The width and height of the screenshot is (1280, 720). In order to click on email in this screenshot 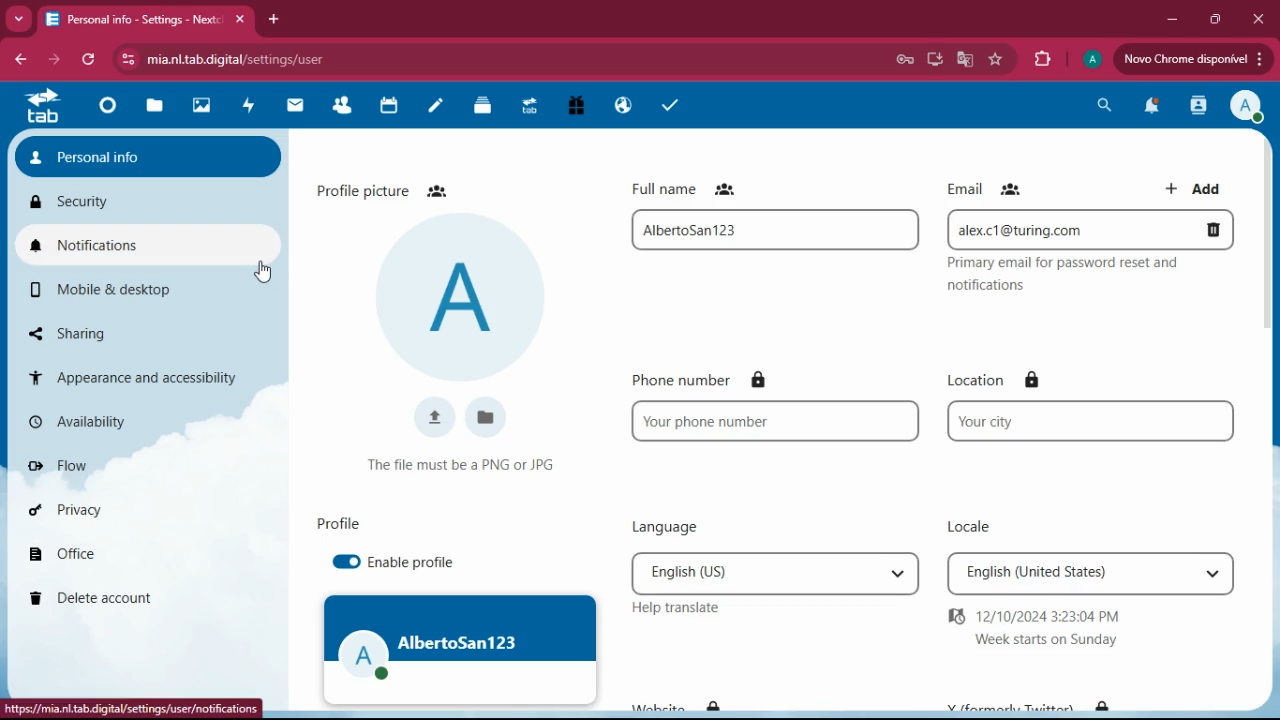, I will do `click(988, 188)`.